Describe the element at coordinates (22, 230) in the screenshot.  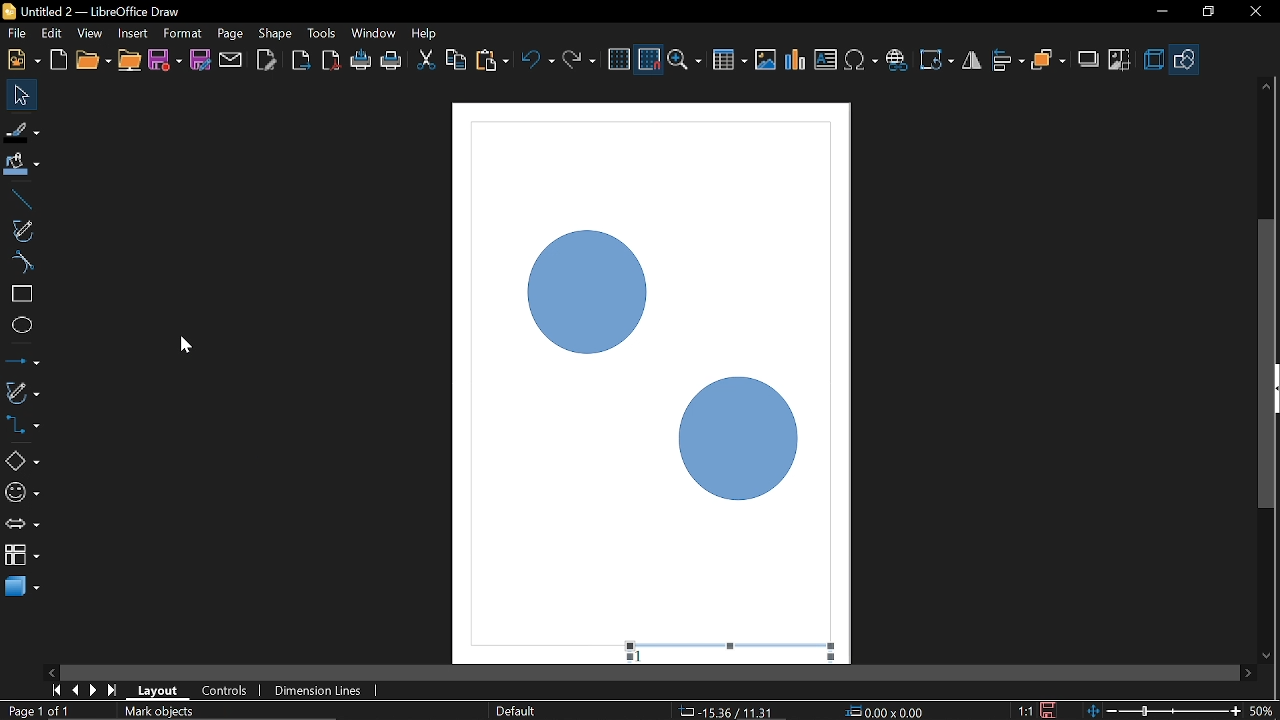
I see `Free from line` at that location.